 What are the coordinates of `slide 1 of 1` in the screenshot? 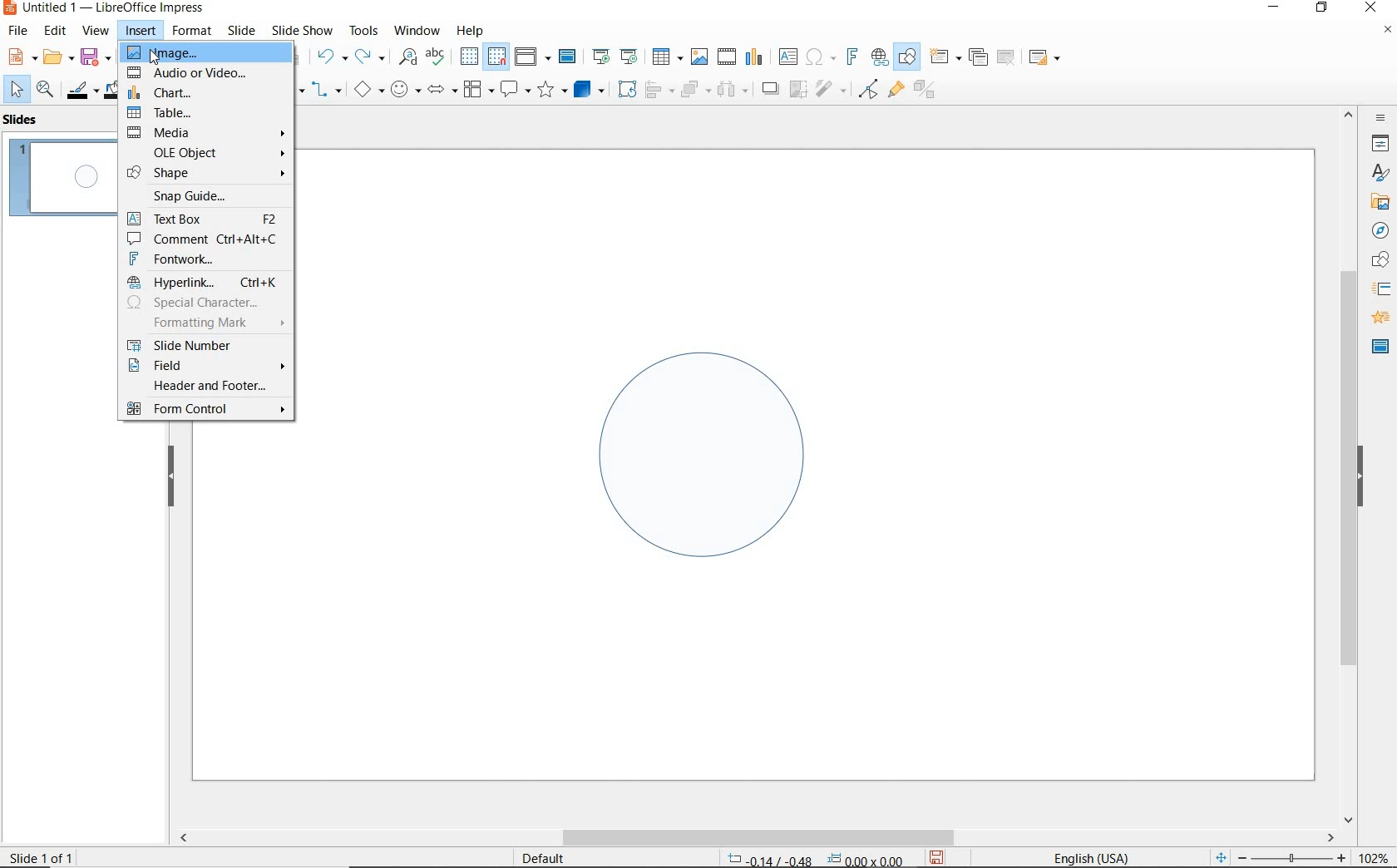 It's located at (49, 854).